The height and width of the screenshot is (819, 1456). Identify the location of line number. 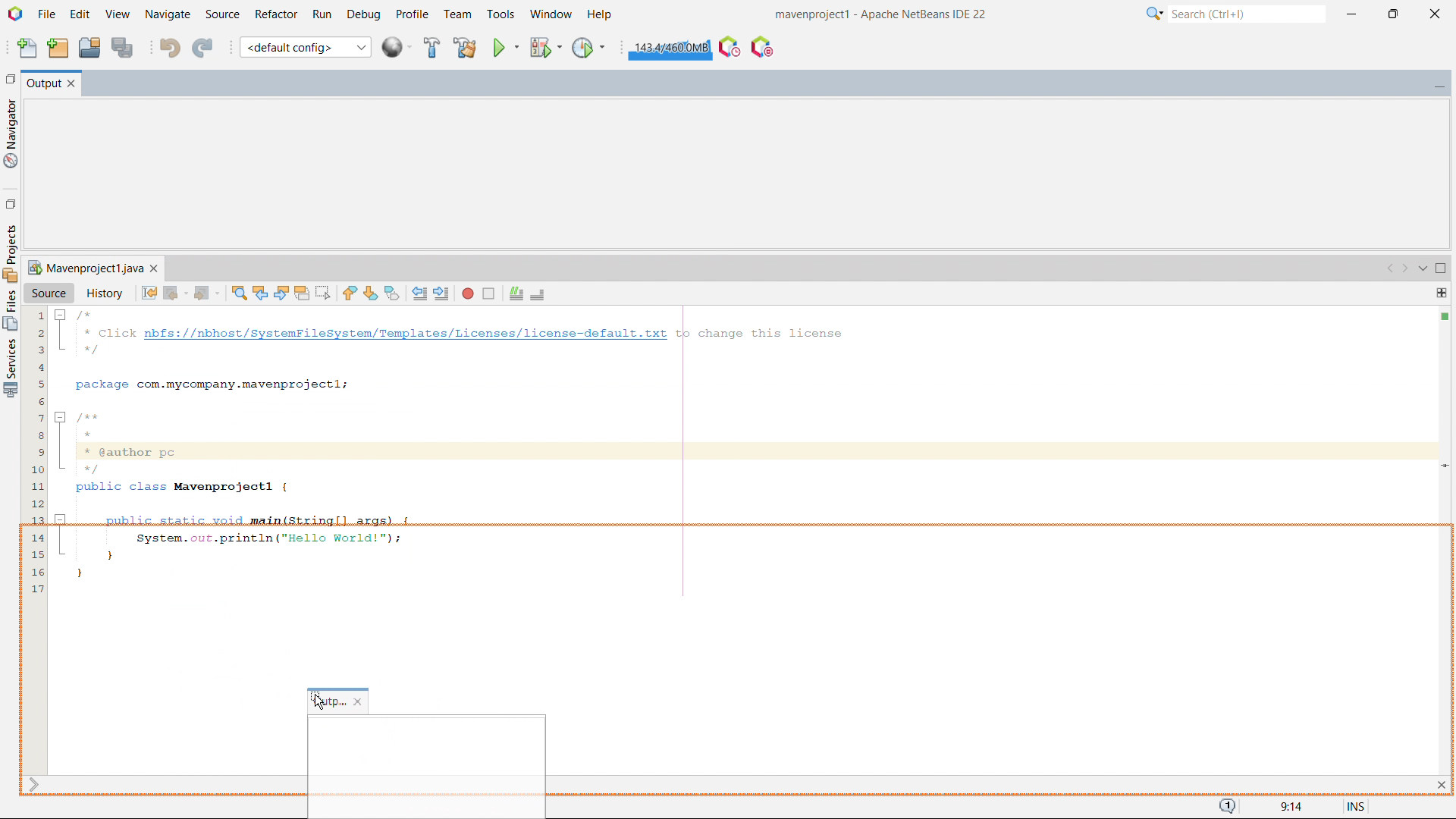
(33, 540).